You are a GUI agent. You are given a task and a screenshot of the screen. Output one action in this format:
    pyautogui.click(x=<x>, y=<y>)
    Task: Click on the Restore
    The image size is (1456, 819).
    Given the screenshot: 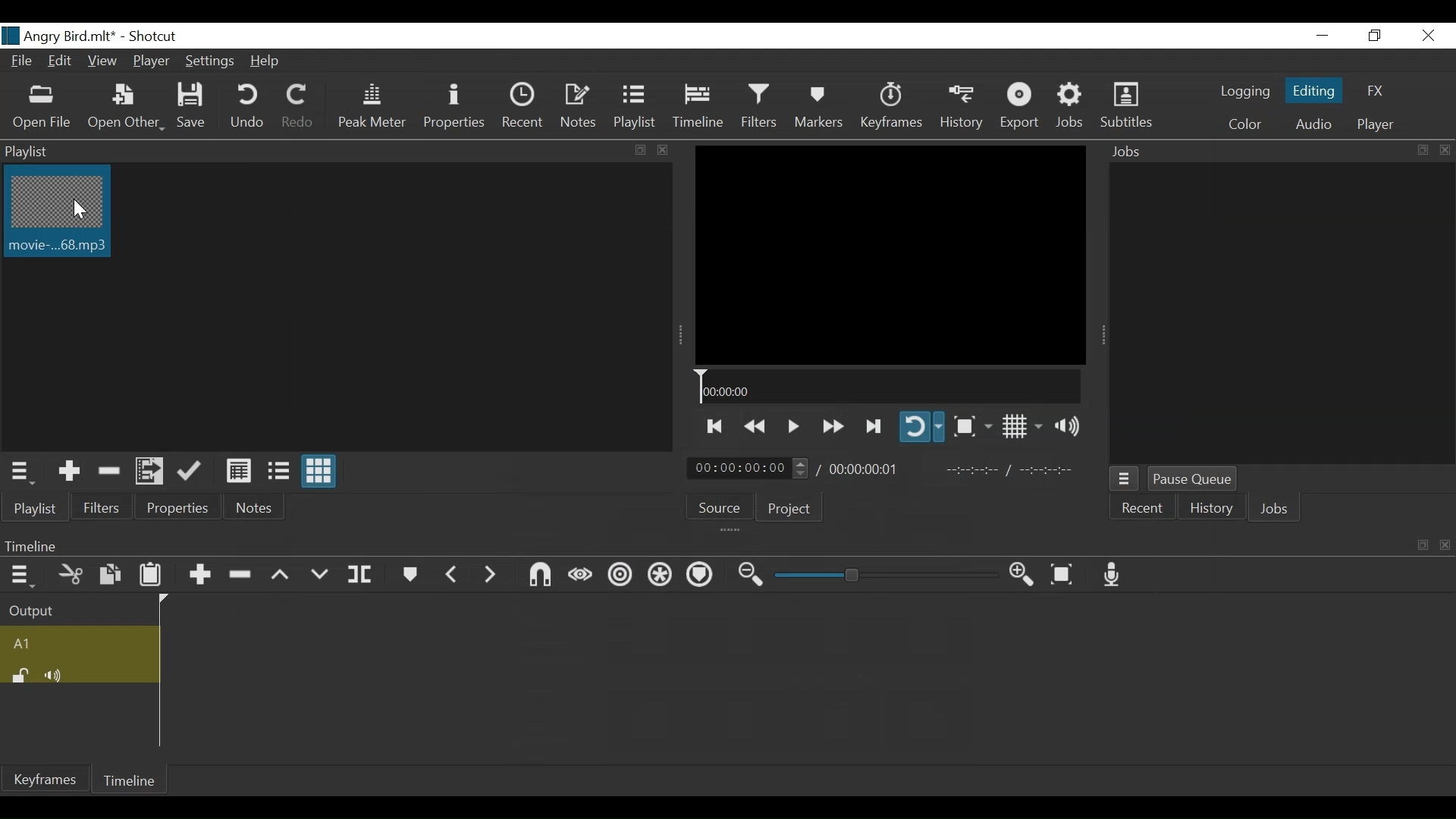 What is the action you would take?
    pyautogui.click(x=1375, y=36)
    